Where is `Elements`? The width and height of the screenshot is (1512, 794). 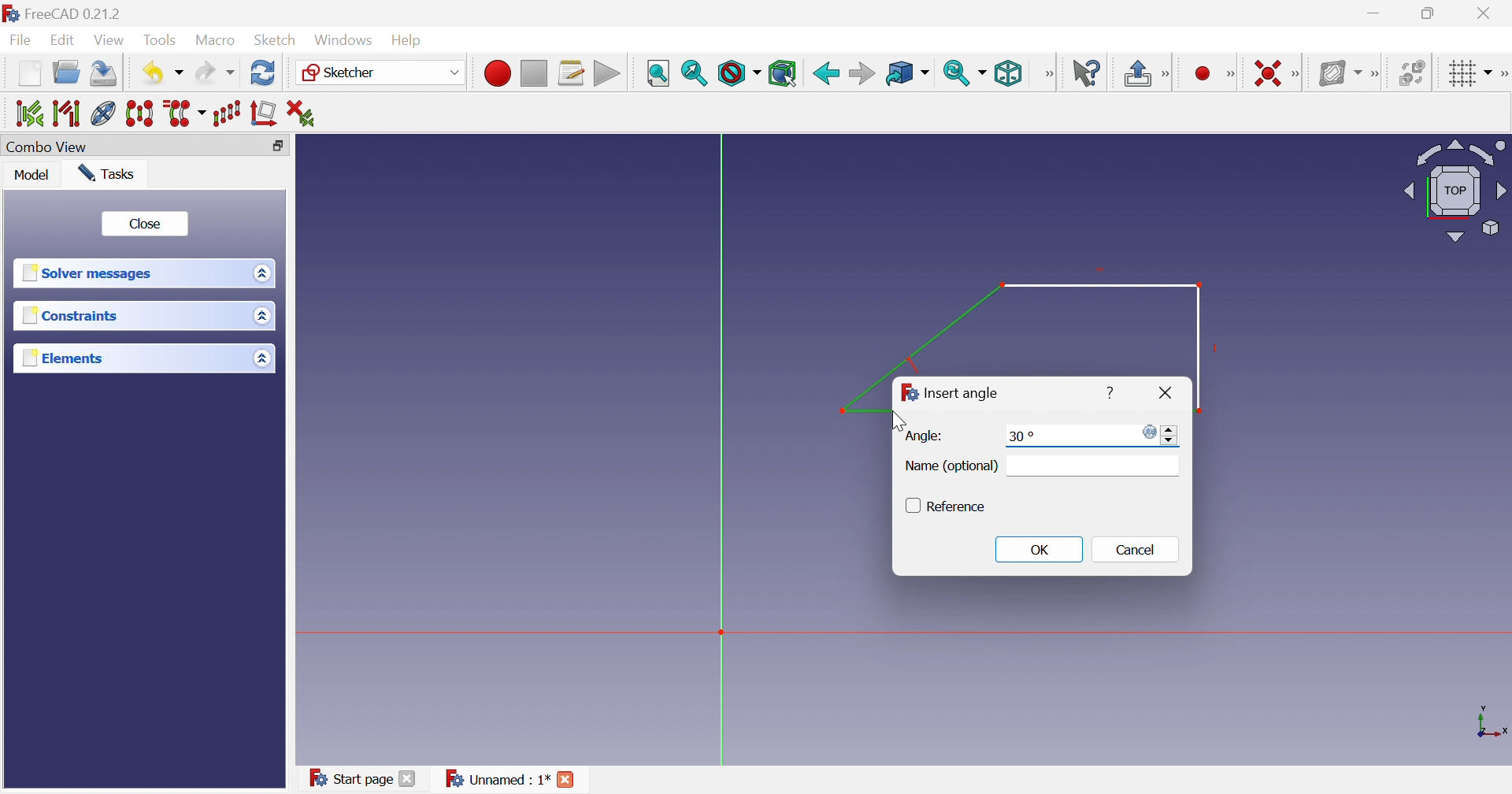
Elements is located at coordinates (61, 358).